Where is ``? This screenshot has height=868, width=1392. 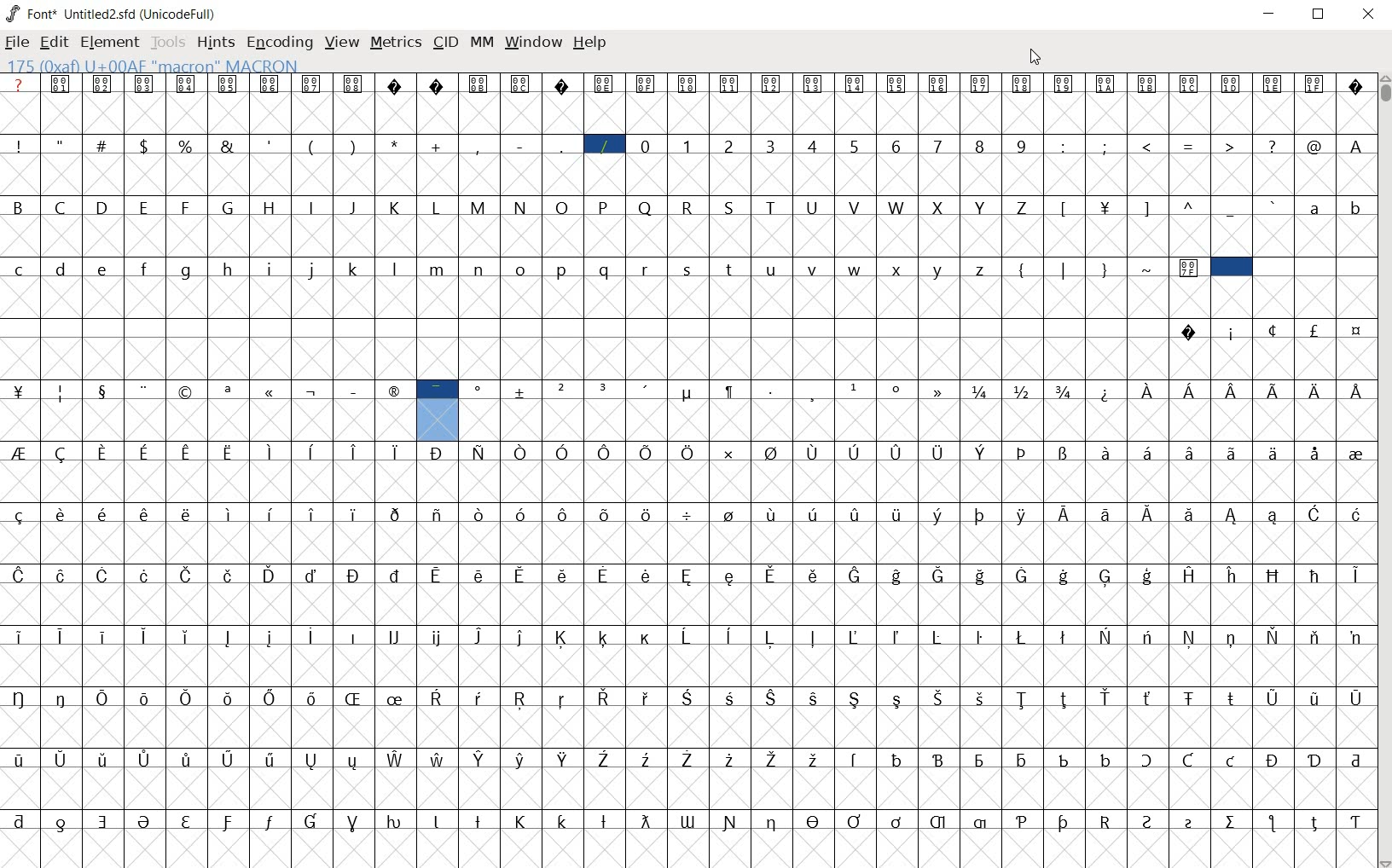
 is located at coordinates (1105, 412).